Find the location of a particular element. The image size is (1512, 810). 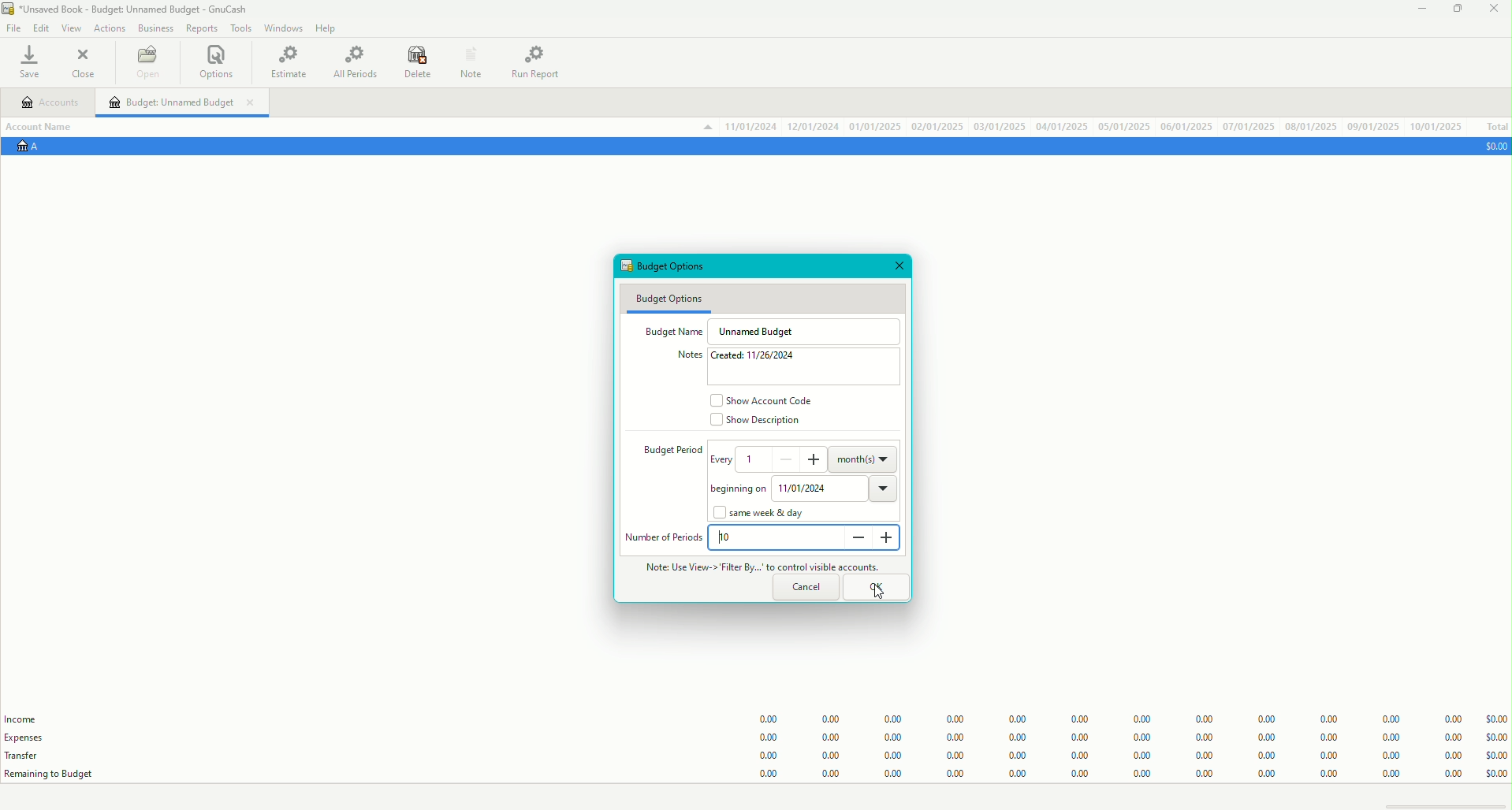

decrease is located at coordinates (858, 538).